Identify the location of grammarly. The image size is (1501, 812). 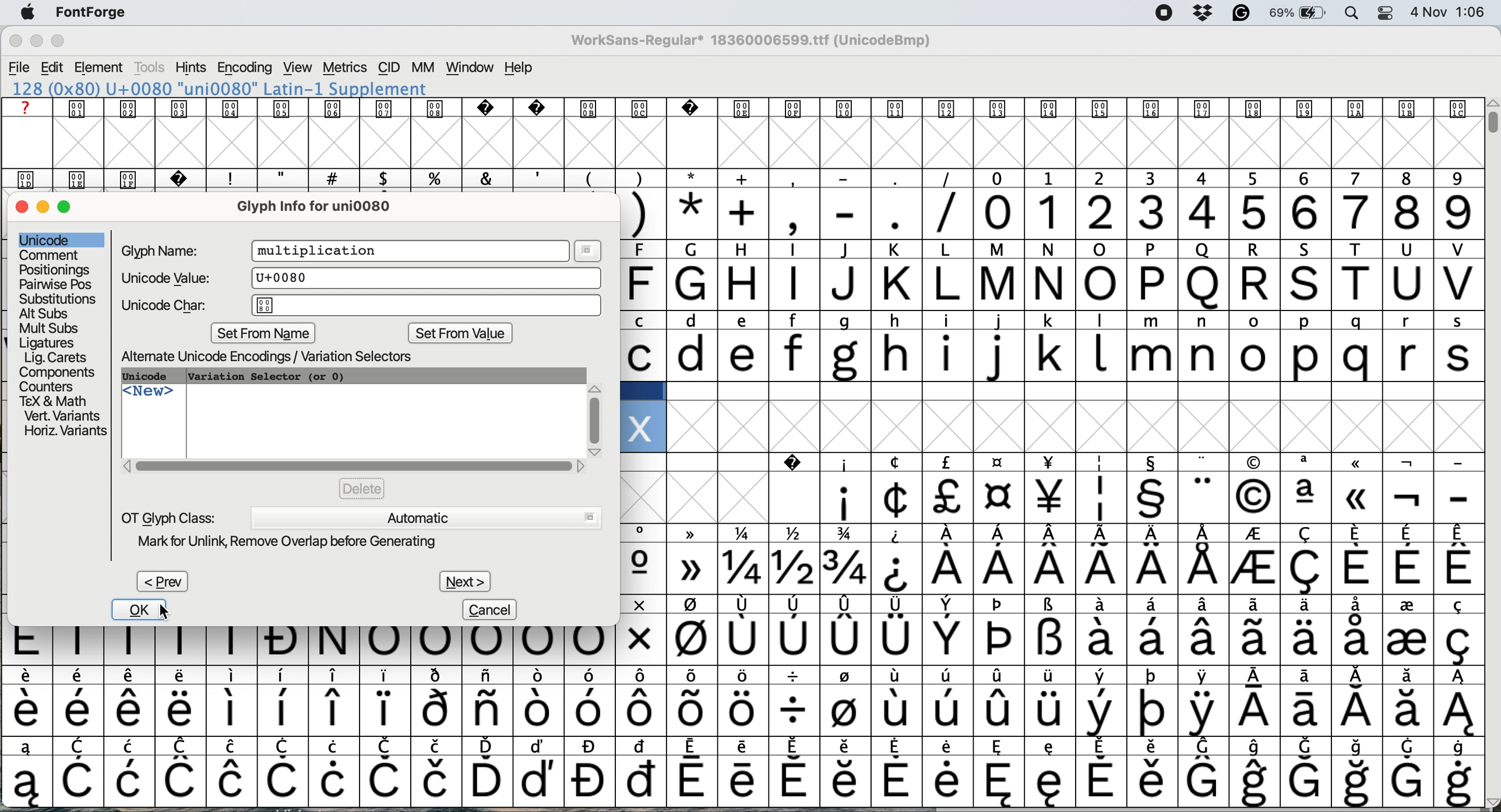
(1239, 13).